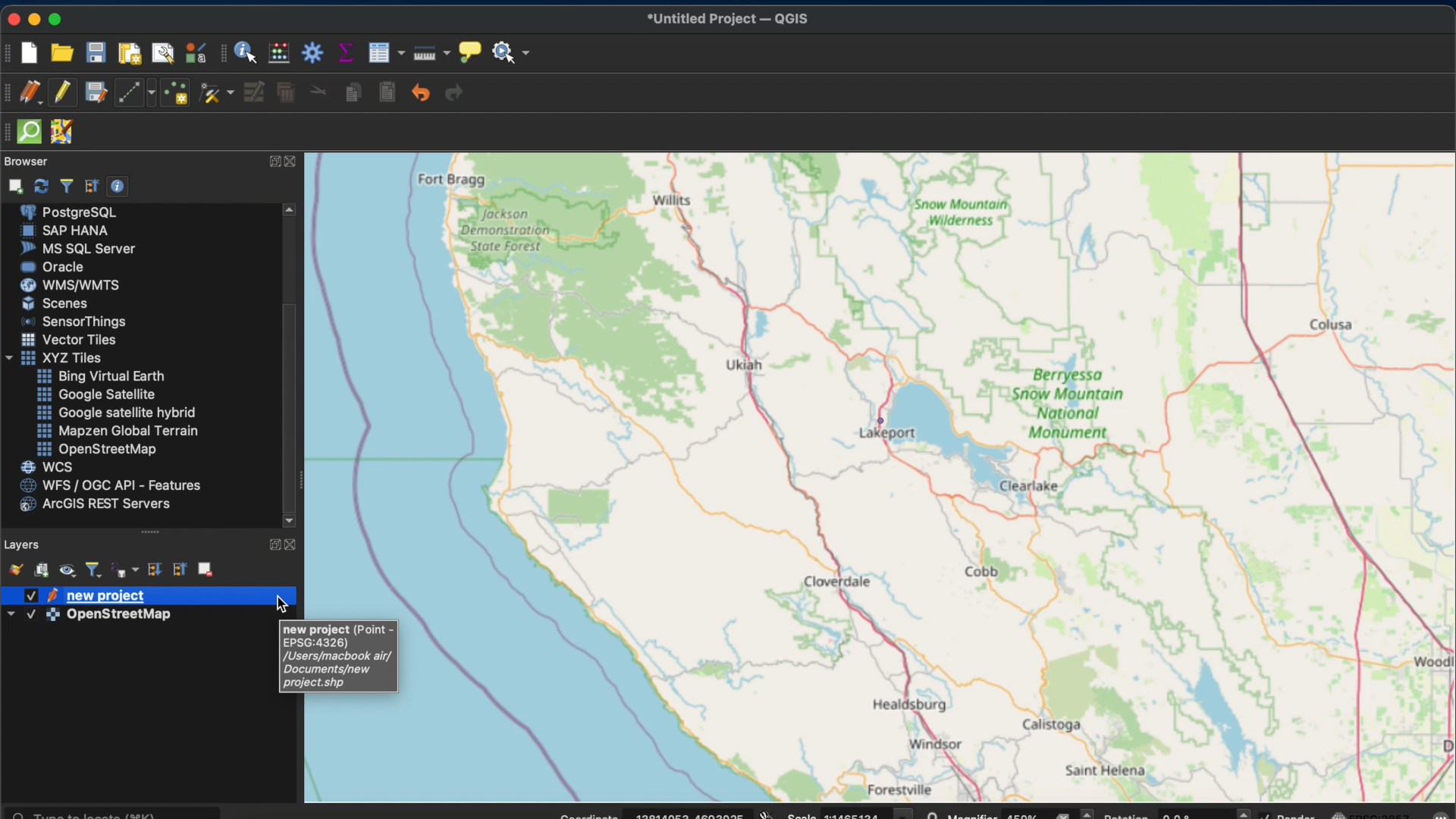 Image resolution: width=1456 pixels, height=819 pixels. I want to click on cursor, so click(281, 602).